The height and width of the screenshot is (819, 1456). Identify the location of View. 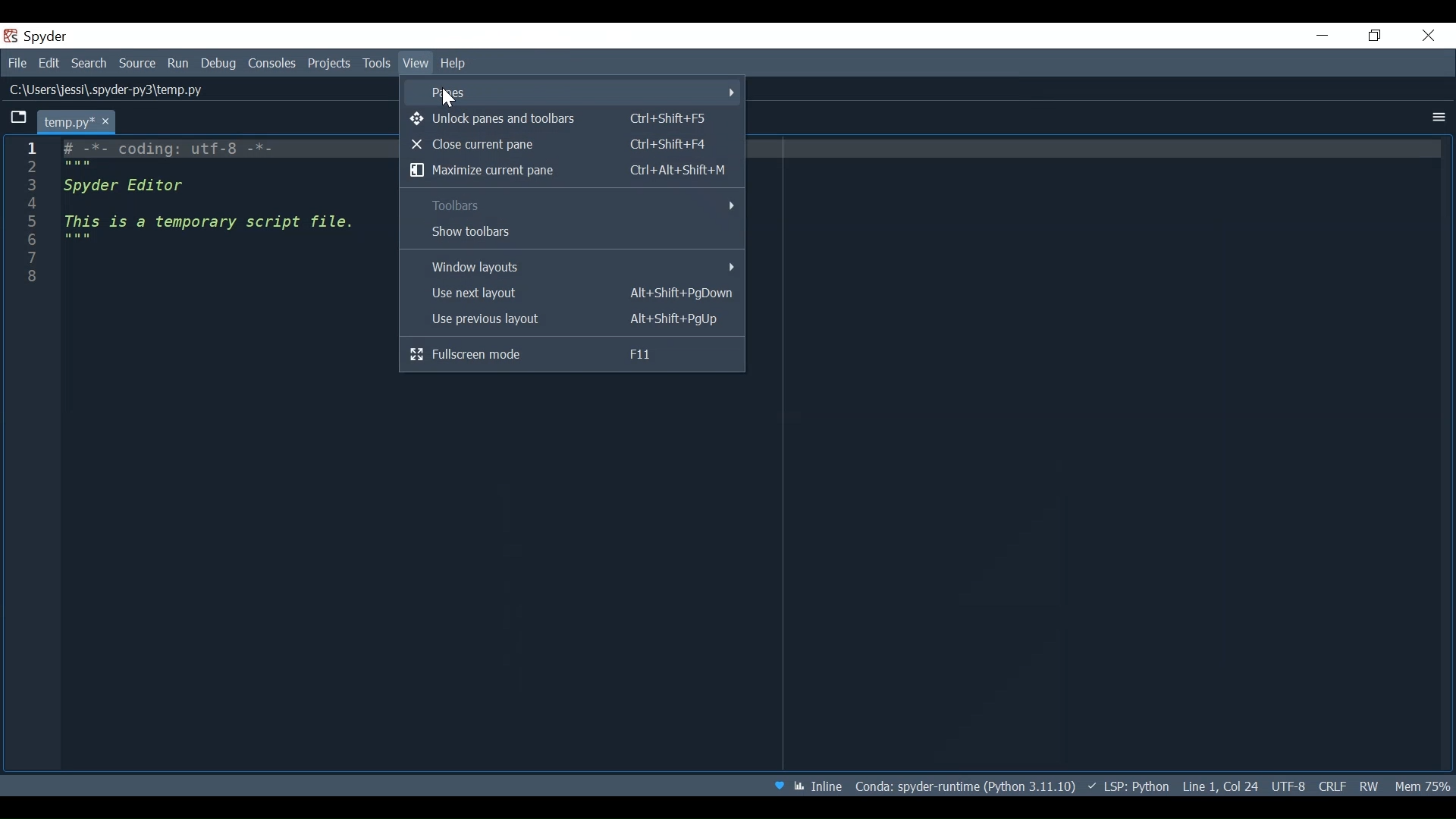
(416, 63).